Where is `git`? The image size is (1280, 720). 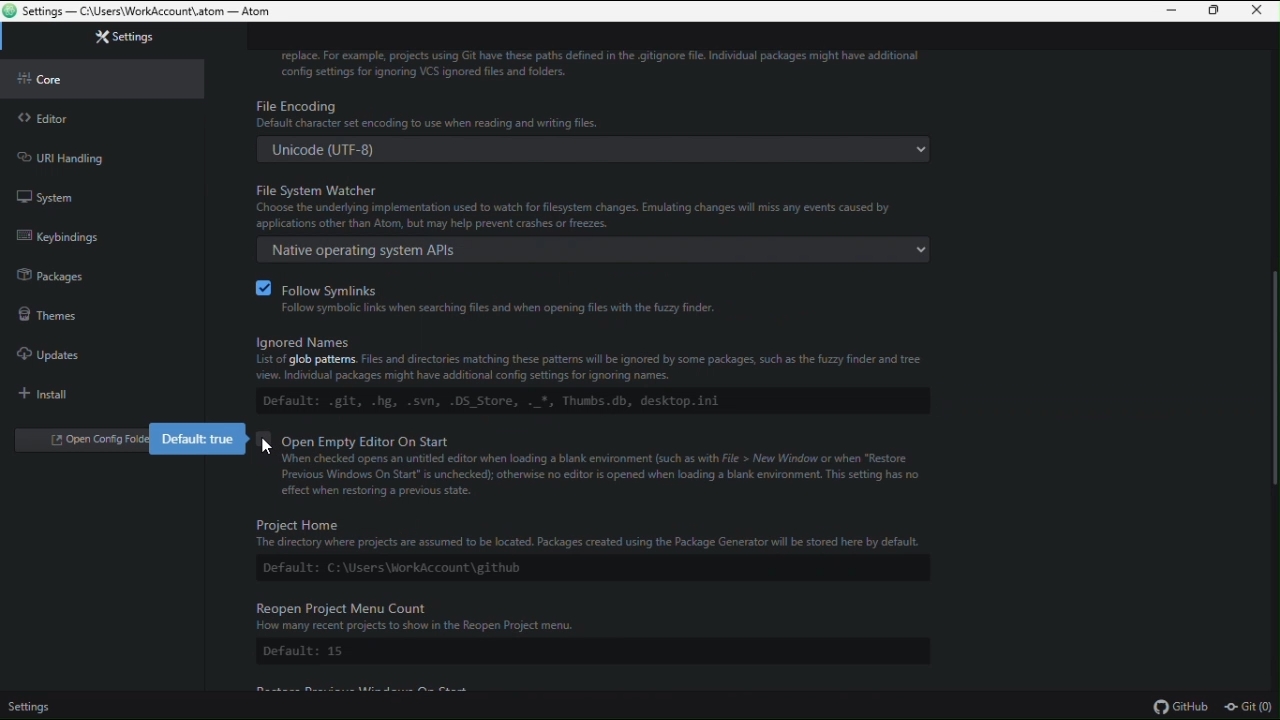 git is located at coordinates (1251, 707).